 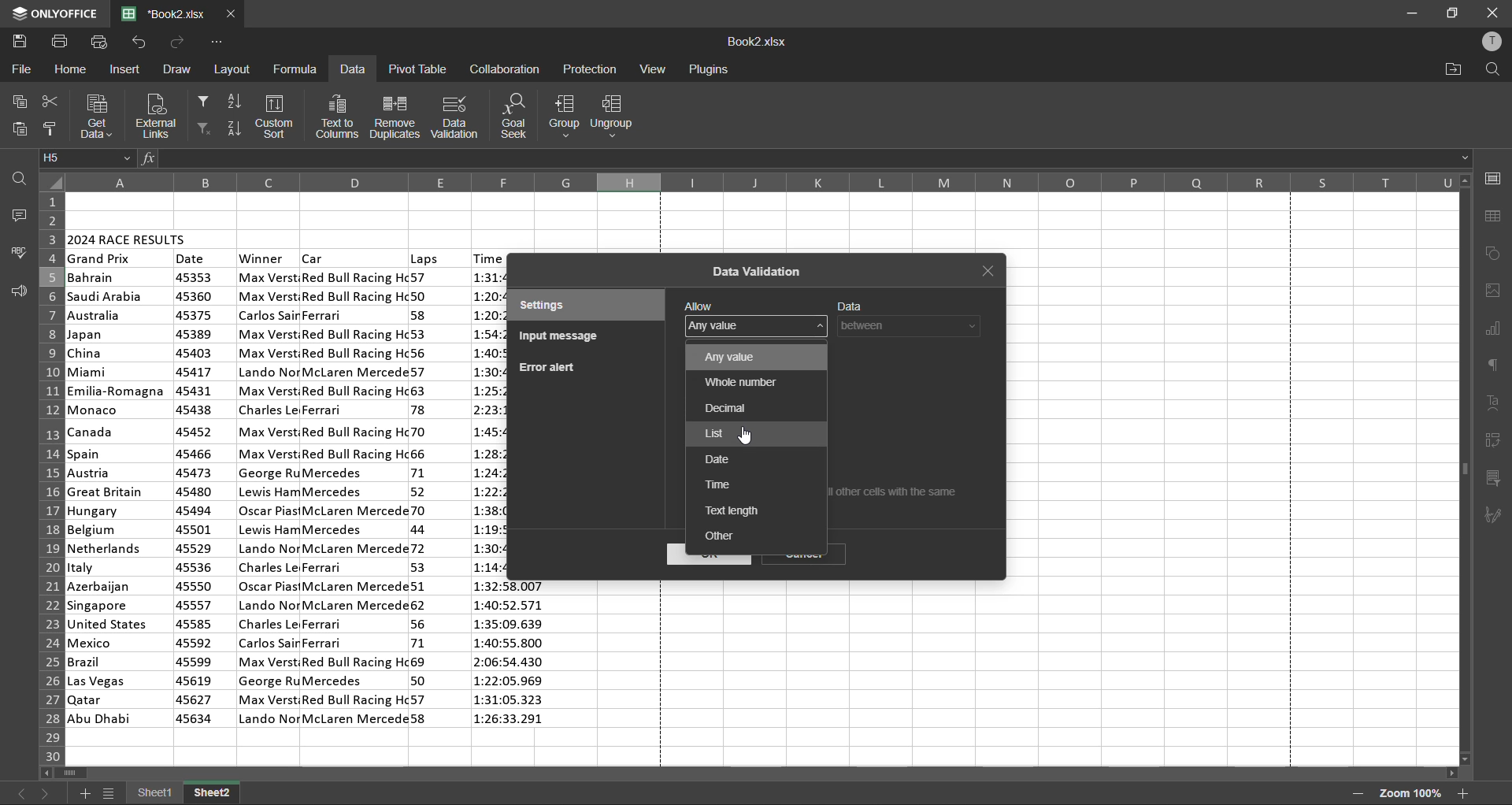 What do you see at coordinates (48, 476) in the screenshot?
I see `row numbers` at bounding box center [48, 476].